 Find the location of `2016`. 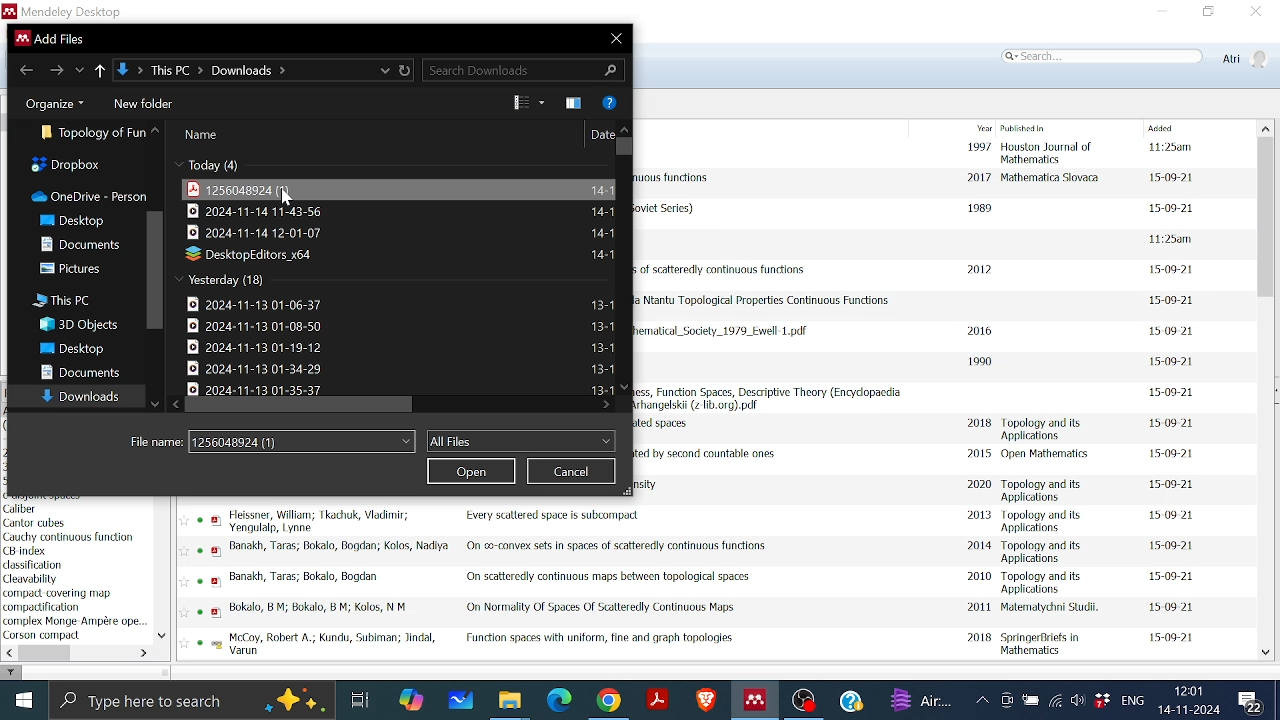

2016 is located at coordinates (982, 331).